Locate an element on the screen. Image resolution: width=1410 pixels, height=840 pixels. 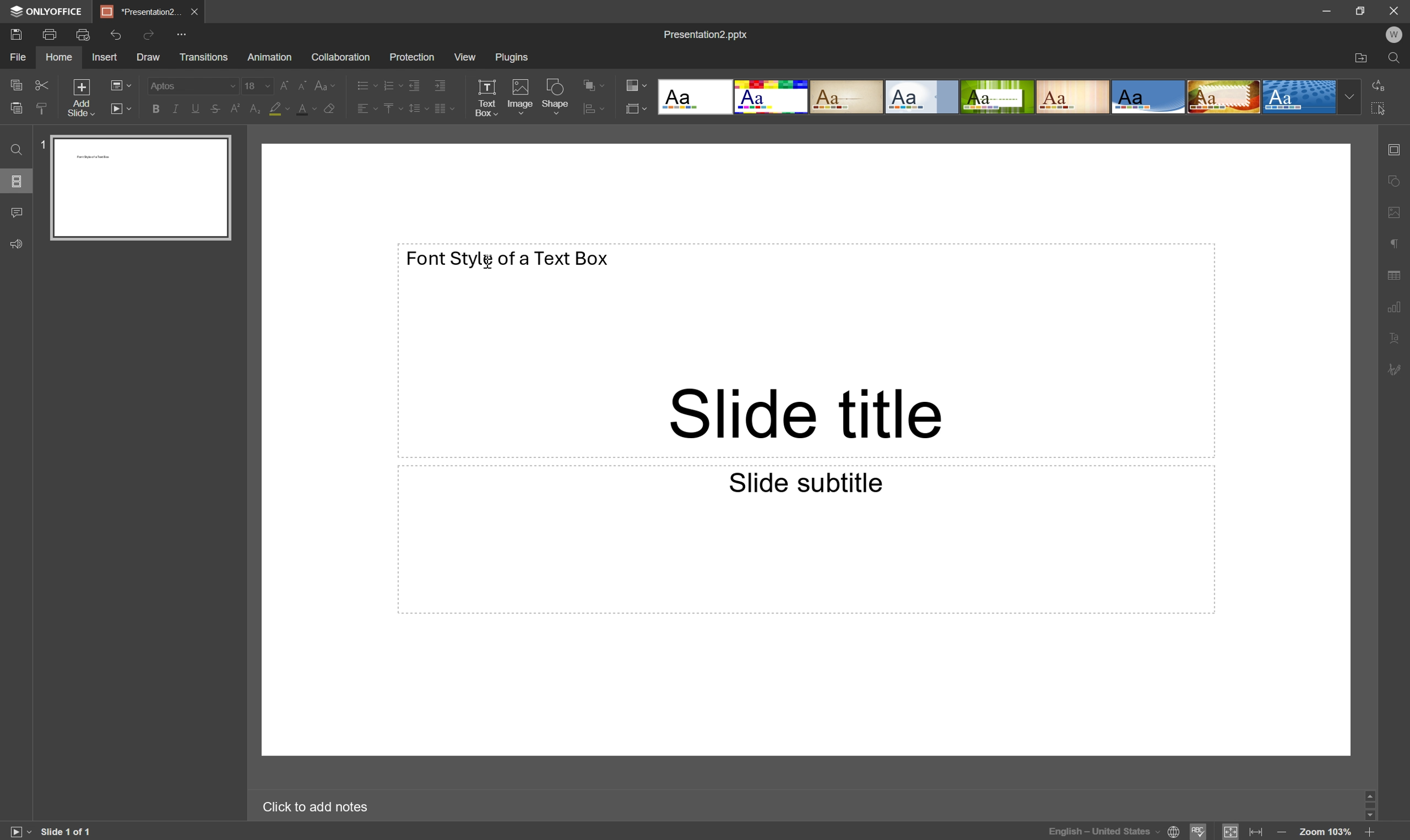
Customize Quick Access Toolbar is located at coordinates (186, 36).